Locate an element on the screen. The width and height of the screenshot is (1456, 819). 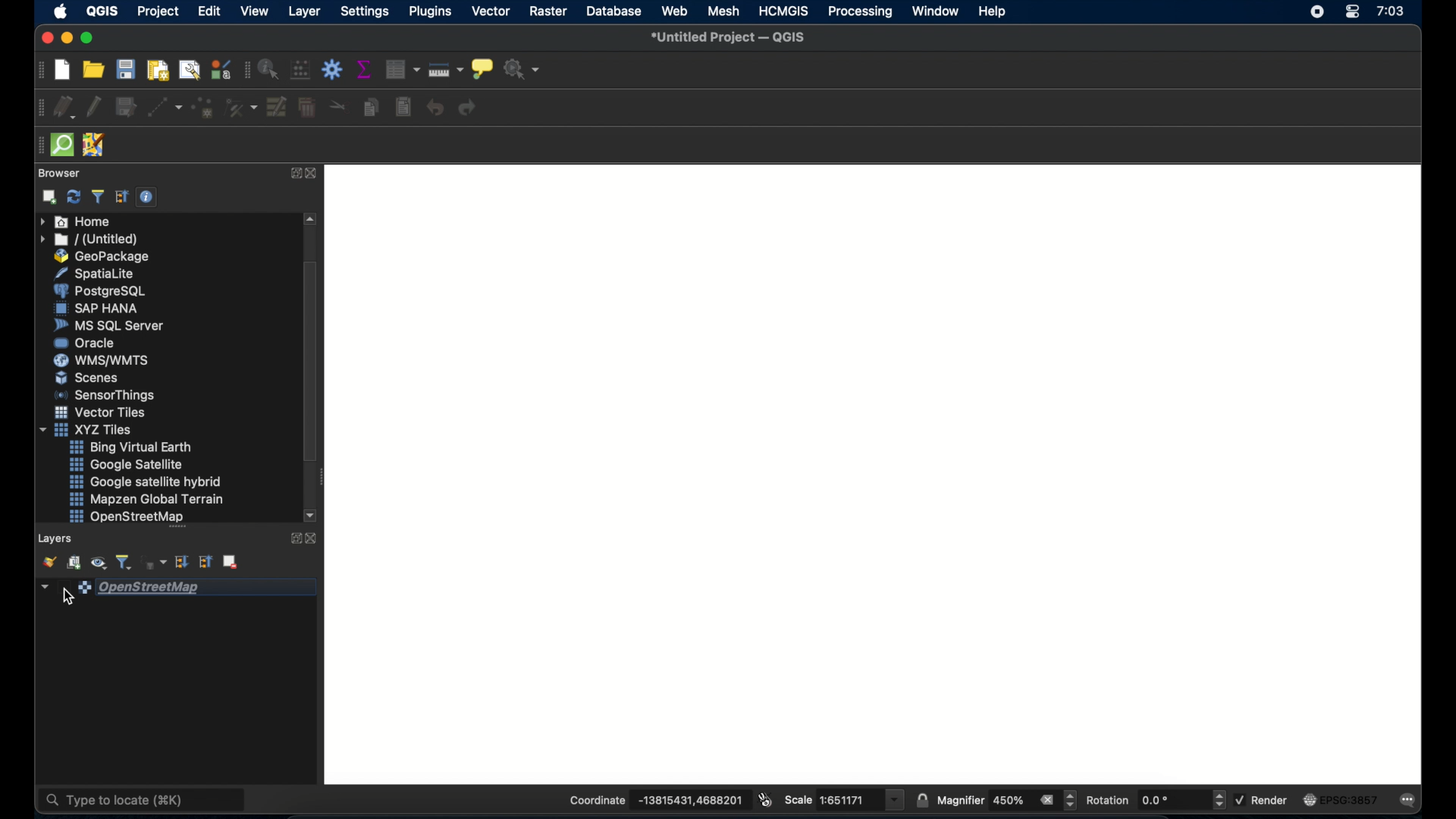
sap hana is located at coordinates (96, 308).